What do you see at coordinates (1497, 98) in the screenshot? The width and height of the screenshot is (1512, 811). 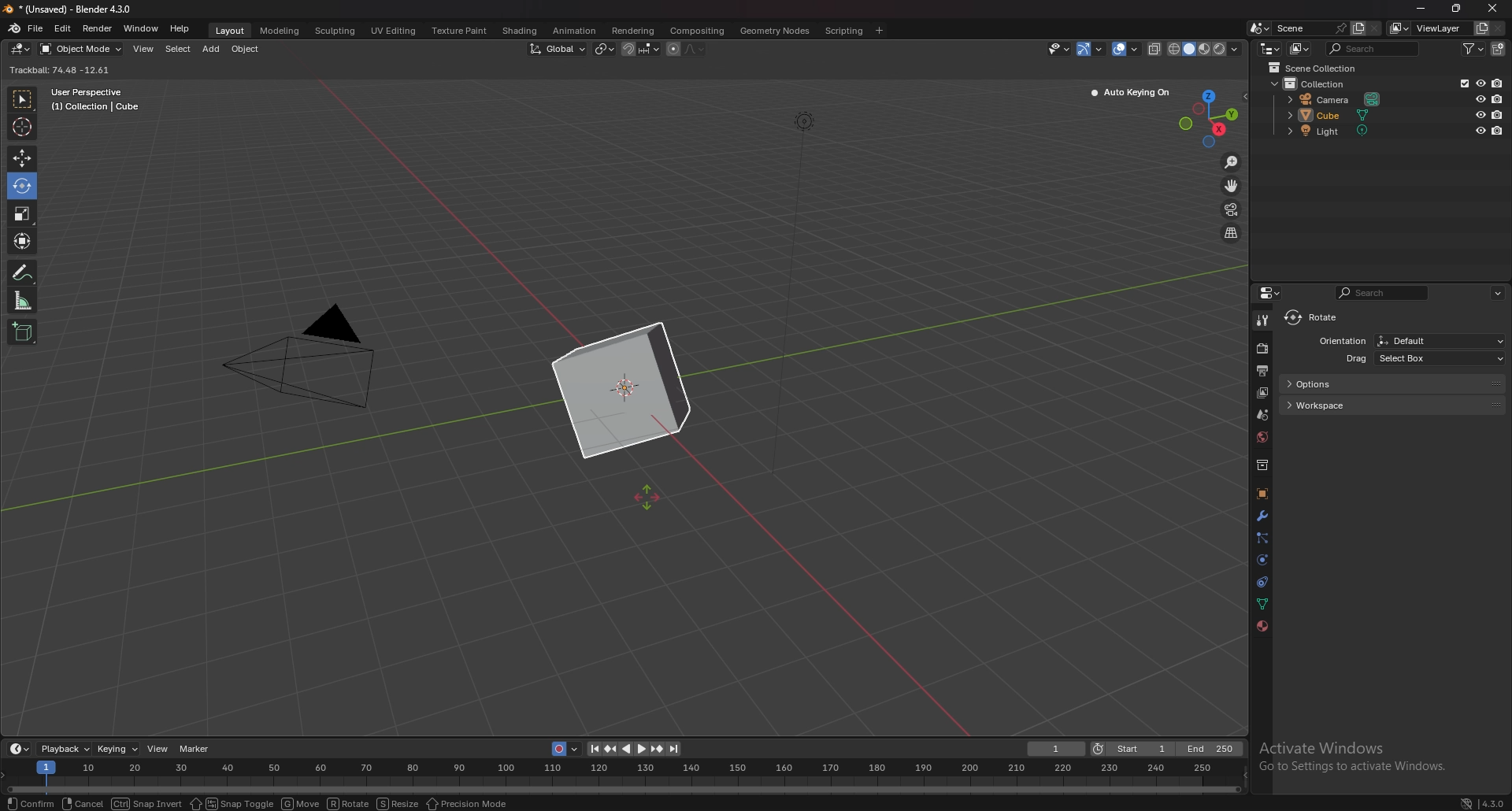 I see `disable in render` at bounding box center [1497, 98].